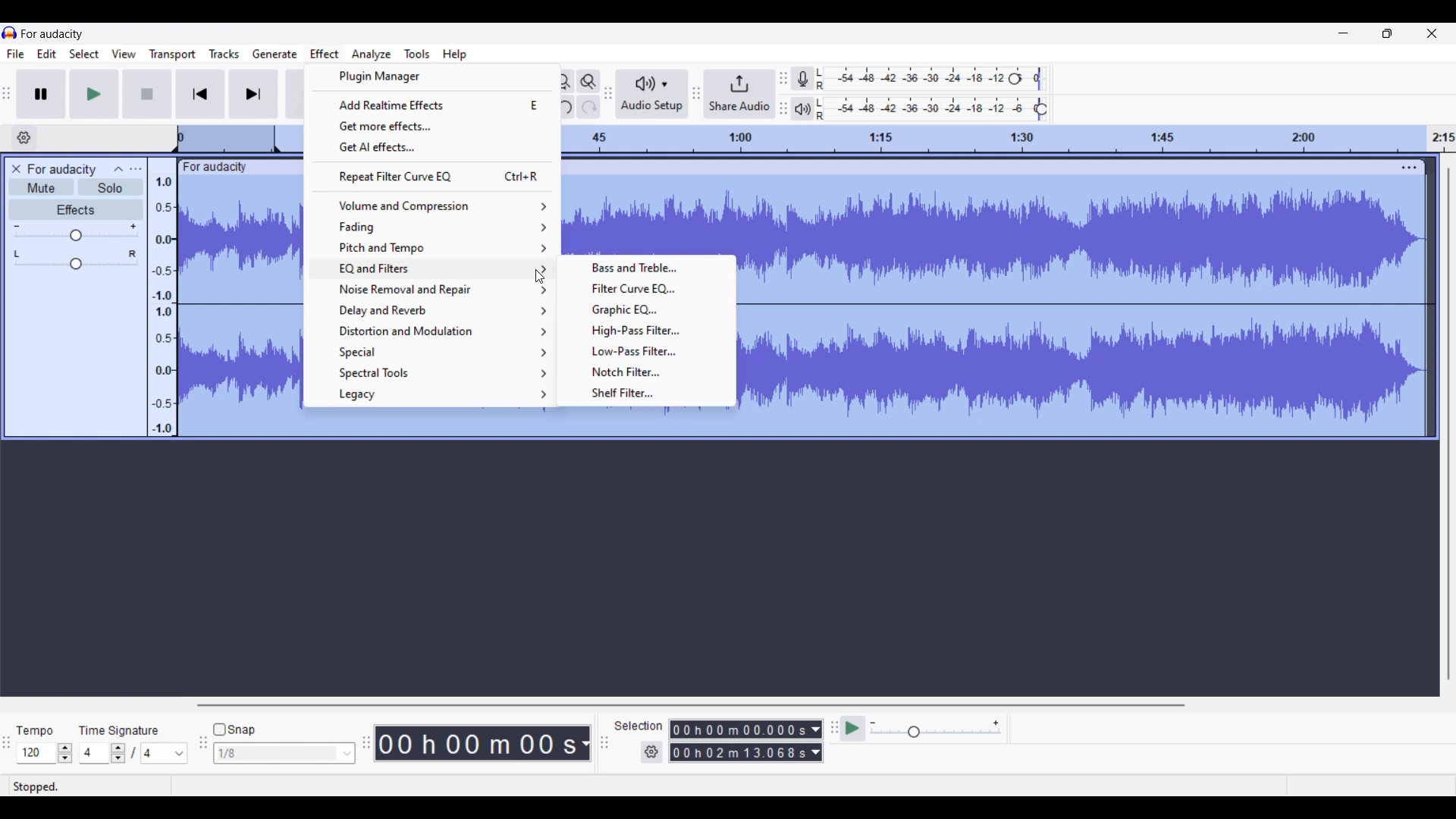 This screenshot has height=819, width=1456. Describe the element at coordinates (432, 248) in the screenshot. I see `Pitch and tempo options` at that location.